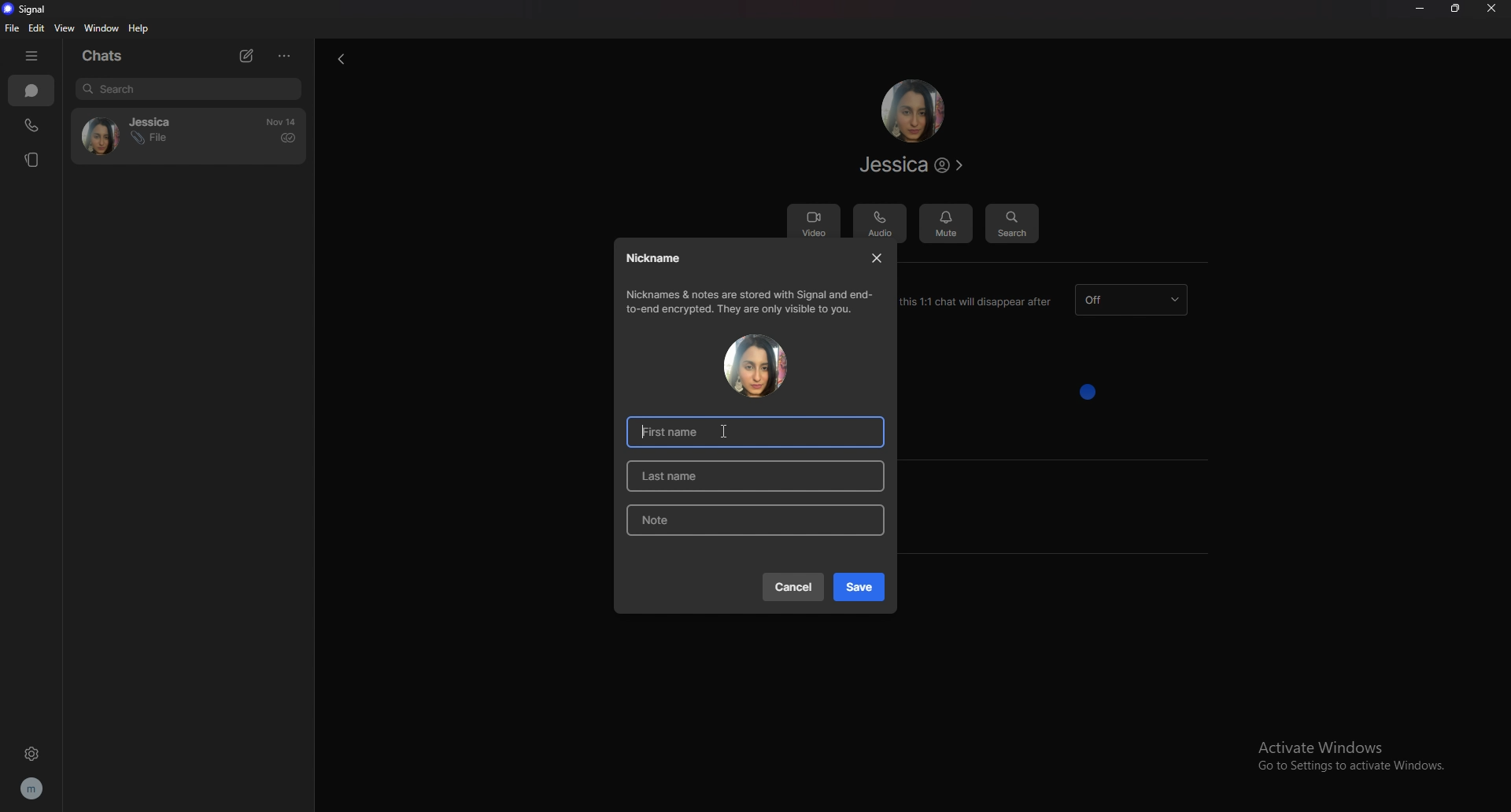 This screenshot has width=1511, height=812. What do you see at coordinates (106, 57) in the screenshot?
I see `chats` at bounding box center [106, 57].